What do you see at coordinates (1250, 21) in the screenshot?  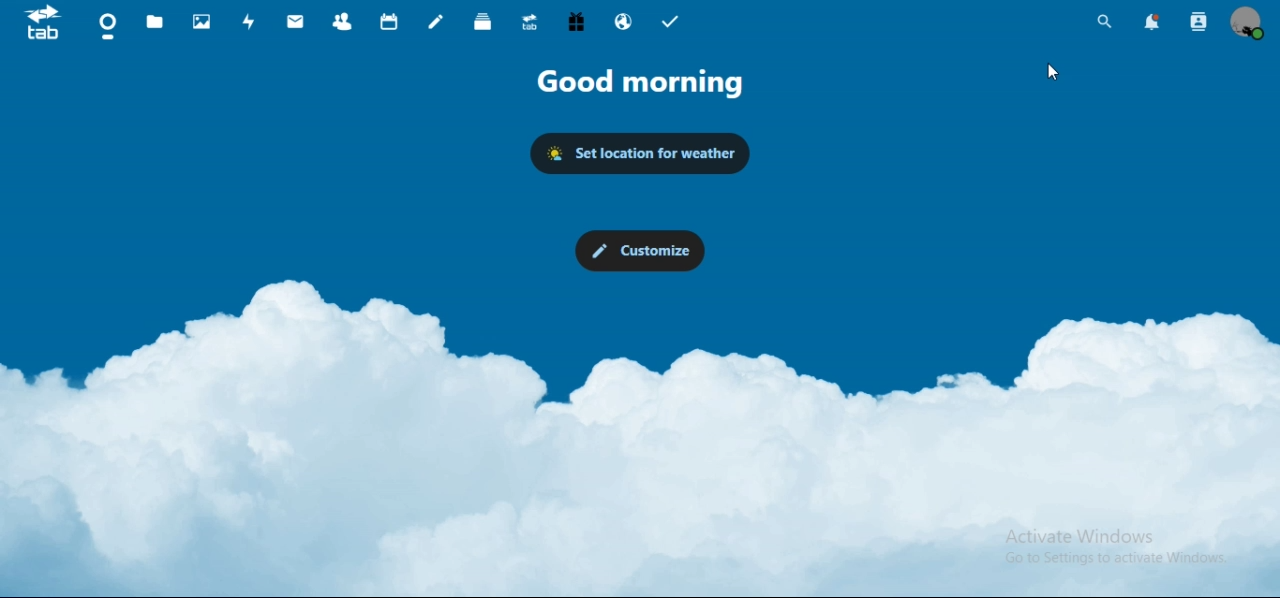 I see `view profile` at bounding box center [1250, 21].